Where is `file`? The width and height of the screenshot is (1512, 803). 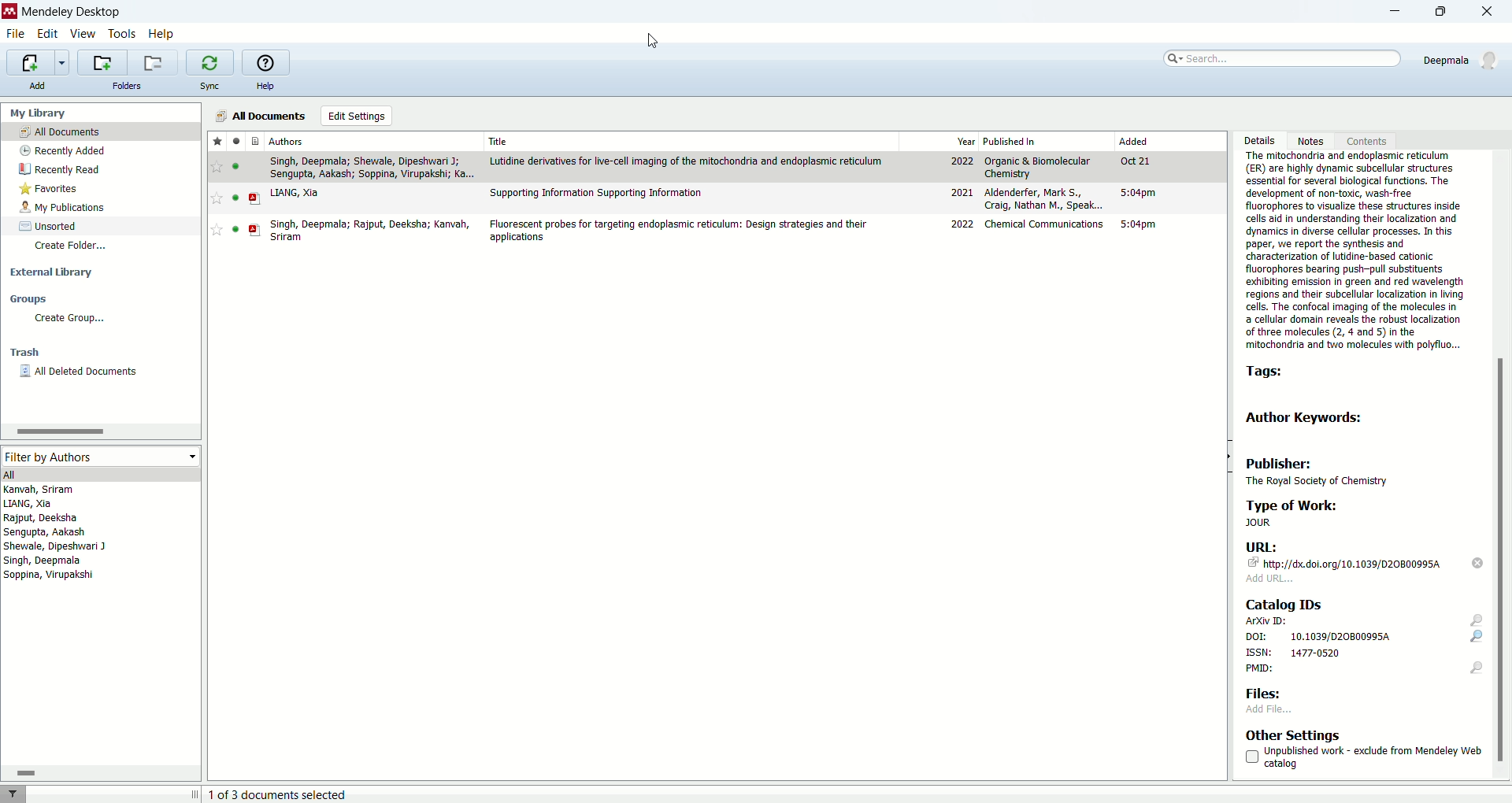 file is located at coordinates (16, 35).